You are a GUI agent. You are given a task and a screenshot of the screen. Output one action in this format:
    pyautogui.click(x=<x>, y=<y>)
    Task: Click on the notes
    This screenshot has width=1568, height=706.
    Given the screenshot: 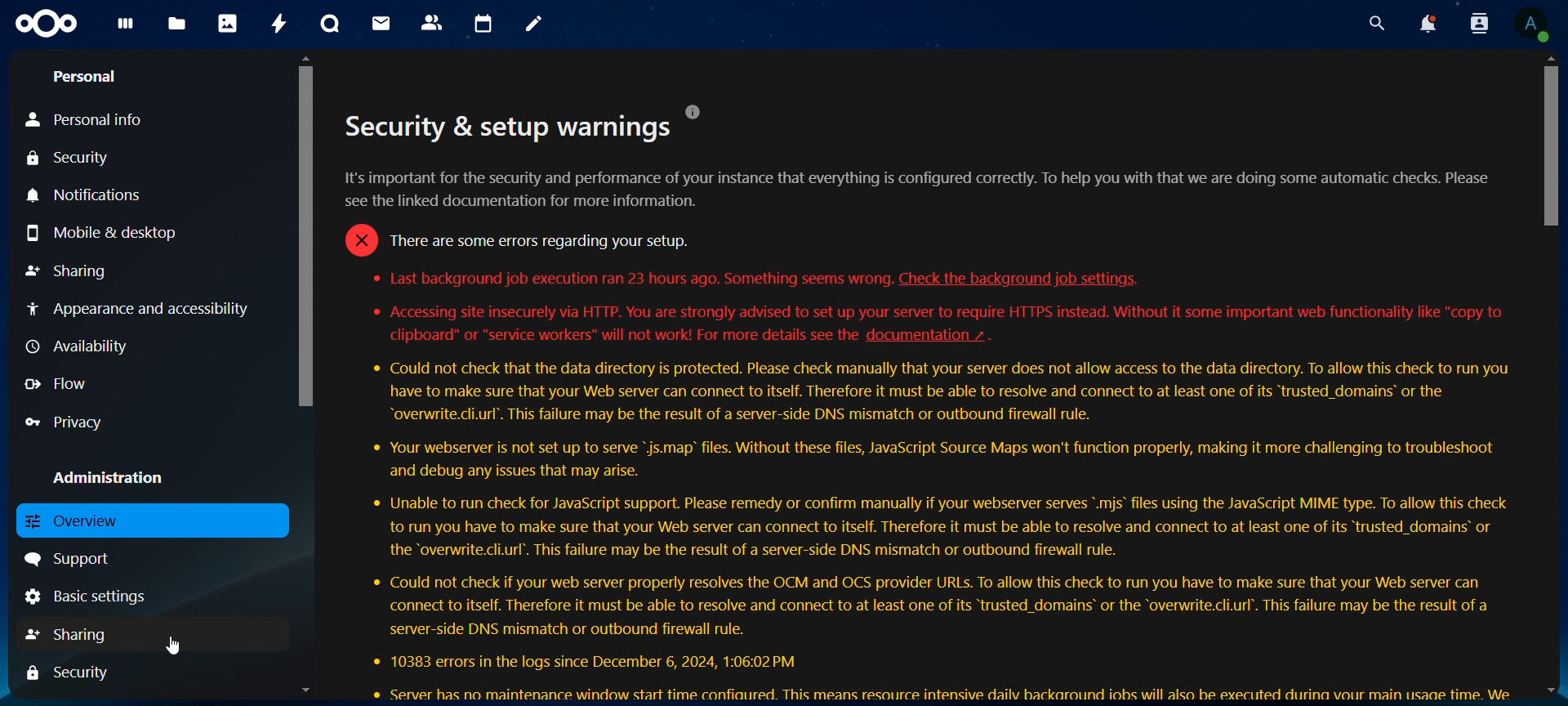 What is the action you would take?
    pyautogui.click(x=533, y=24)
    